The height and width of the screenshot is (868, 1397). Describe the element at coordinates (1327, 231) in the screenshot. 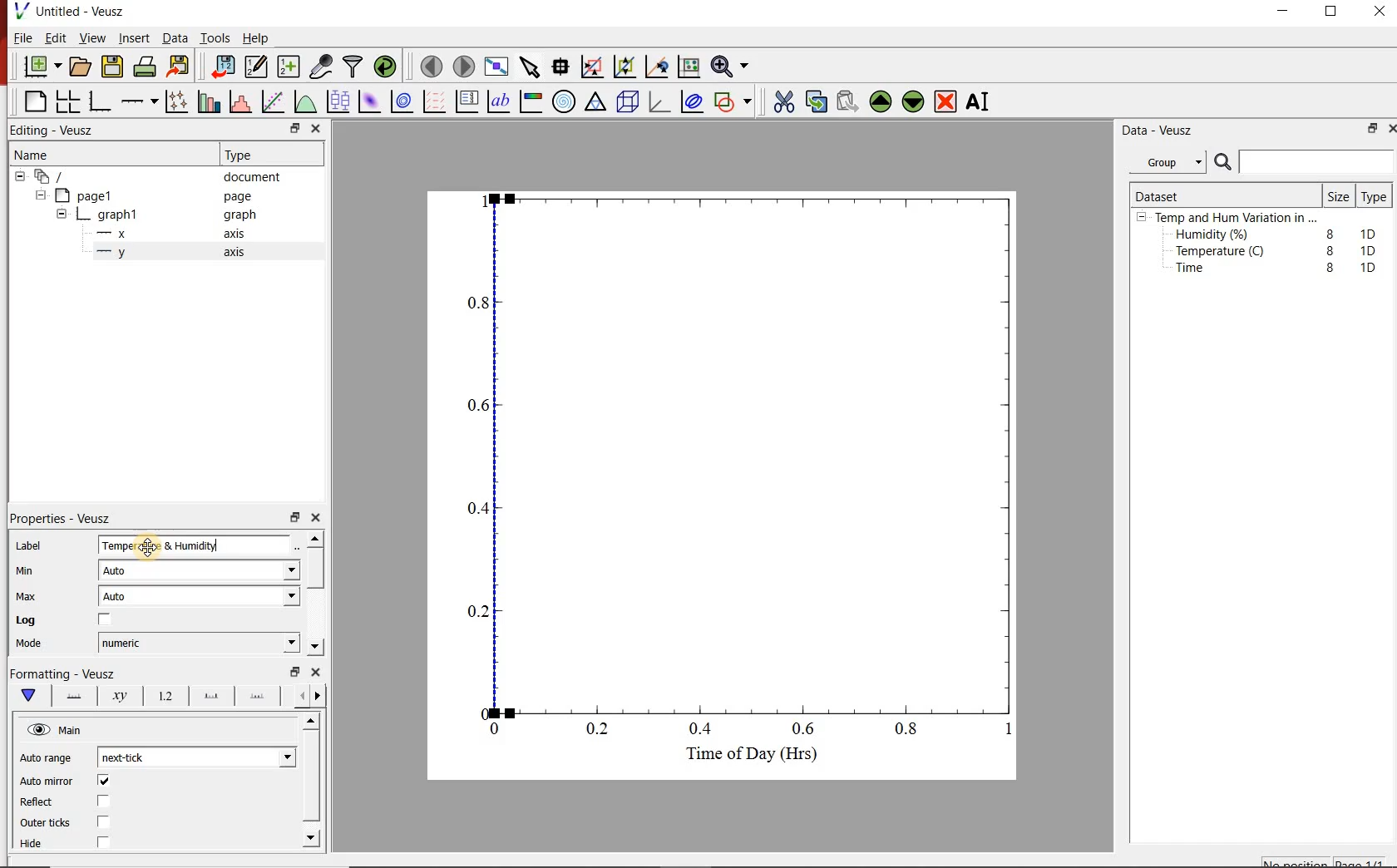

I see `8` at that location.